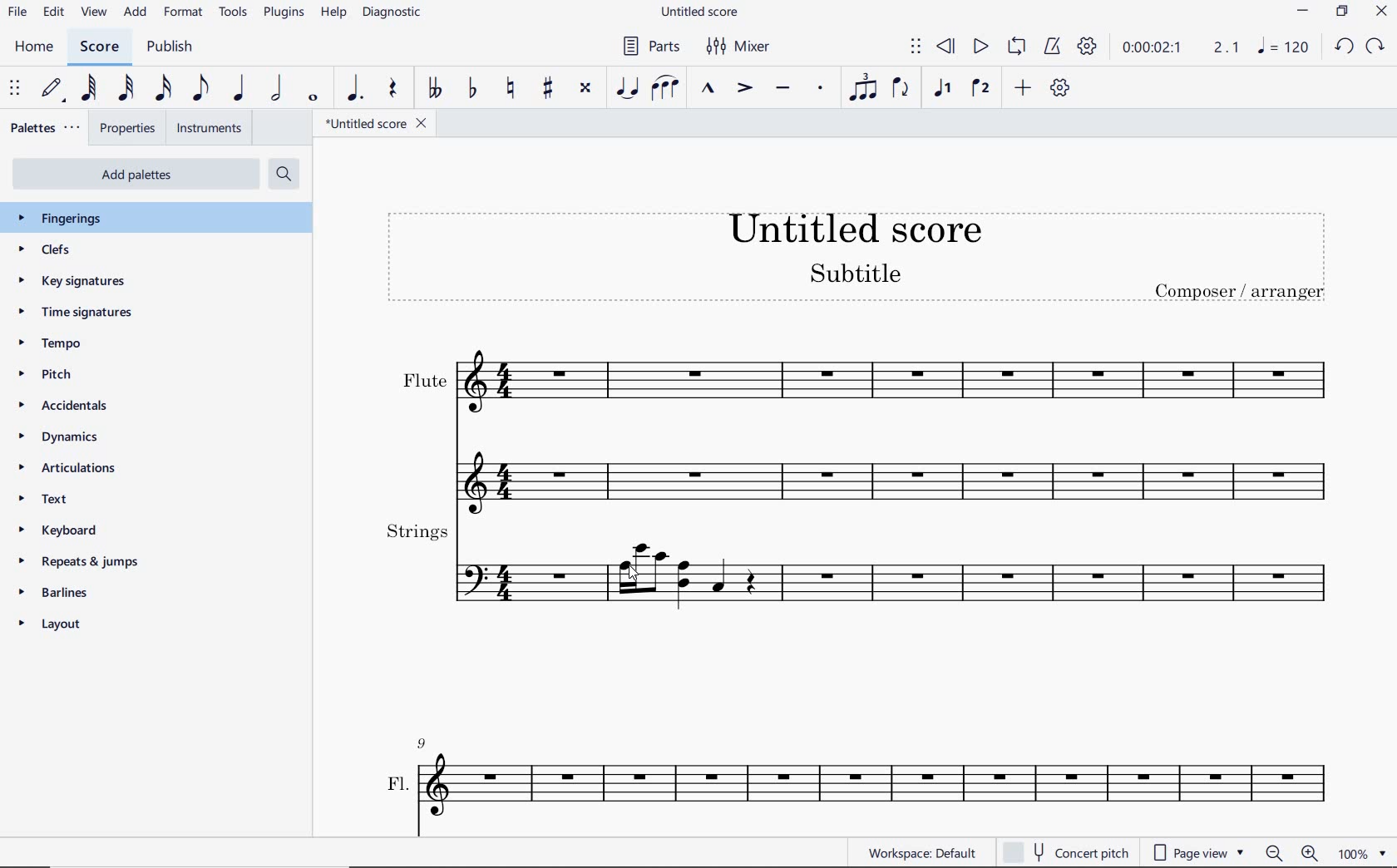  What do you see at coordinates (278, 88) in the screenshot?
I see `half note` at bounding box center [278, 88].